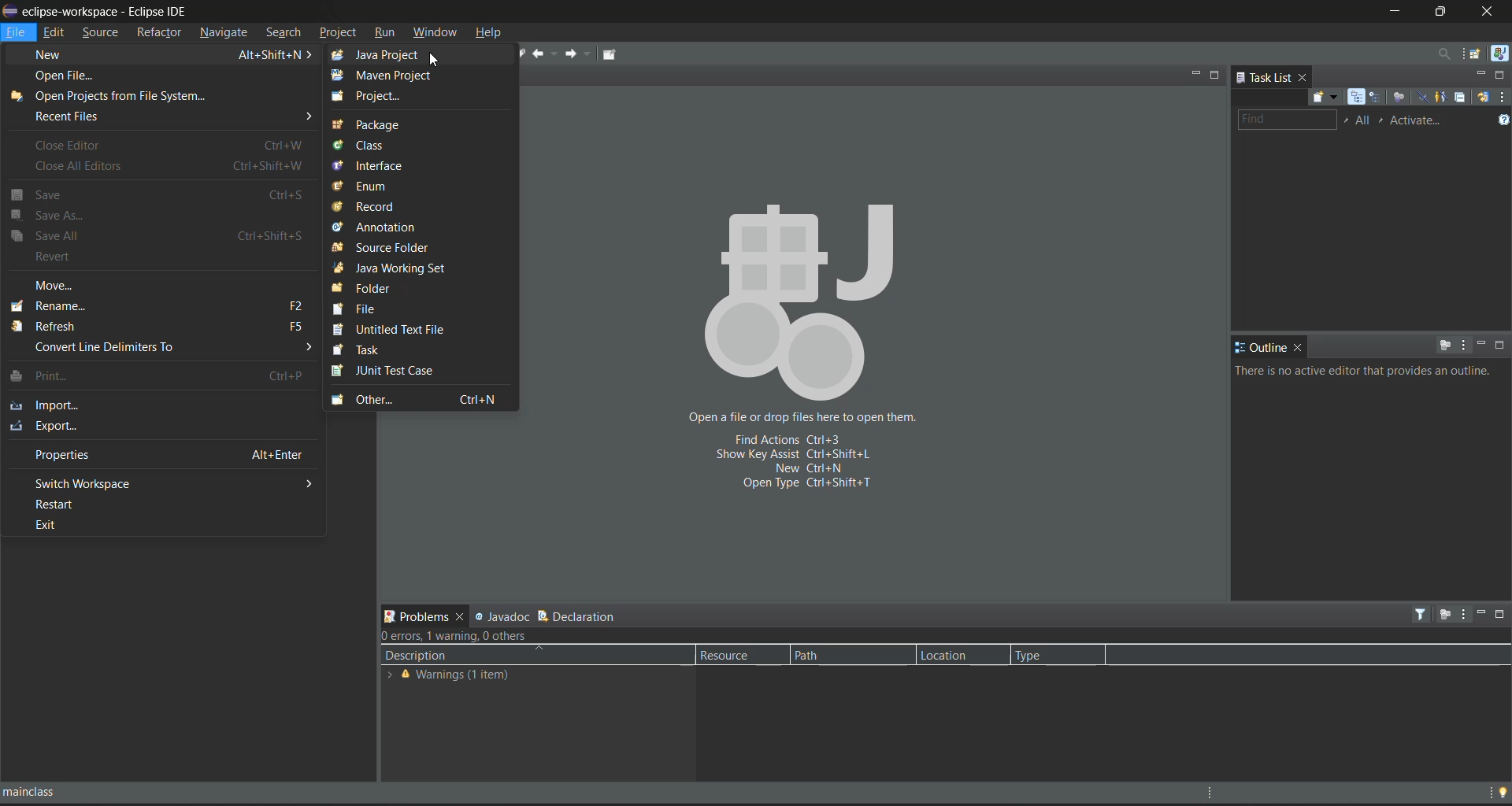 This screenshot has height=806, width=1512. What do you see at coordinates (157, 405) in the screenshot?
I see `import` at bounding box center [157, 405].